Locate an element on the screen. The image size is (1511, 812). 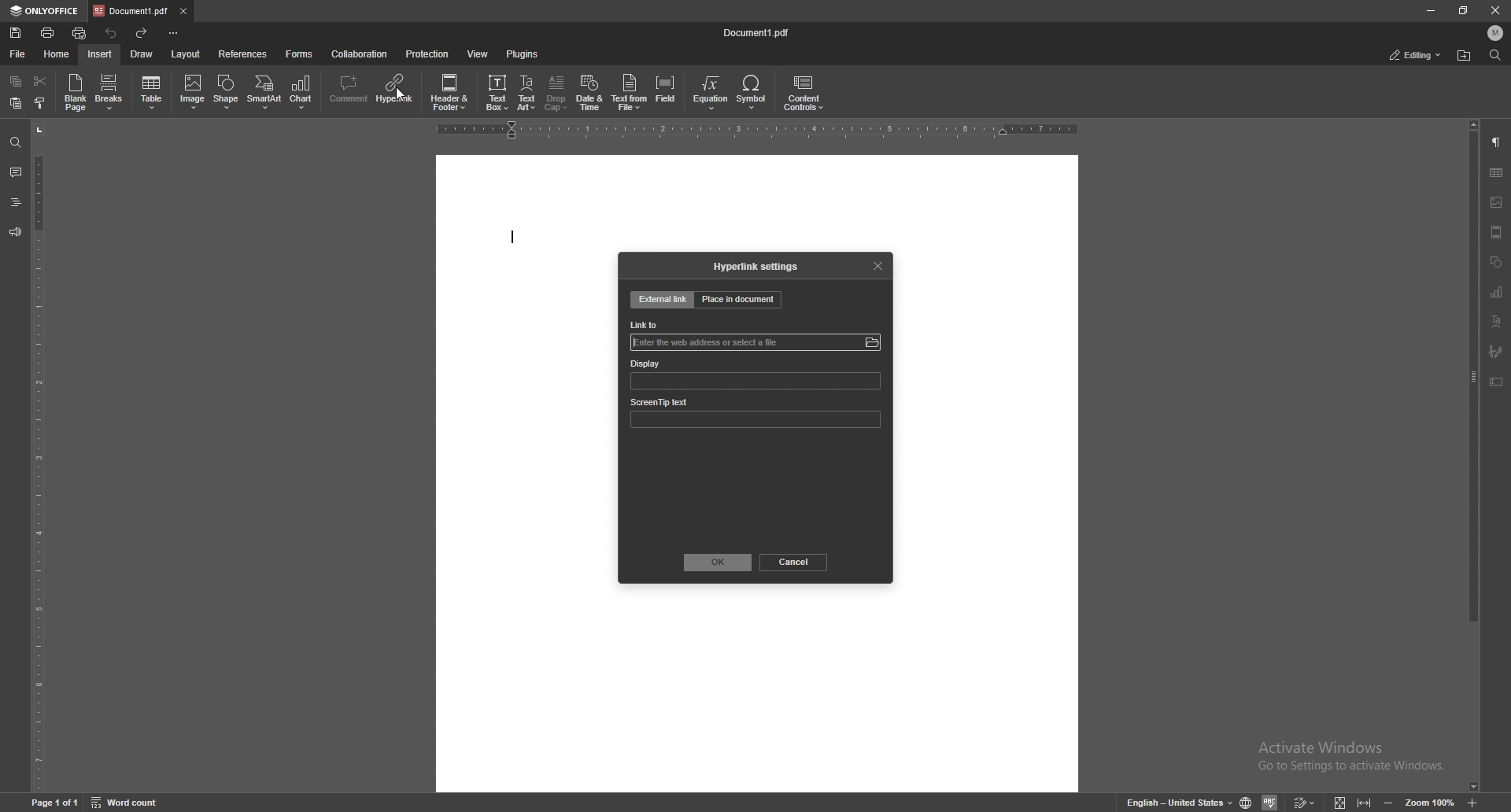
tab is located at coordinates (131, 11).